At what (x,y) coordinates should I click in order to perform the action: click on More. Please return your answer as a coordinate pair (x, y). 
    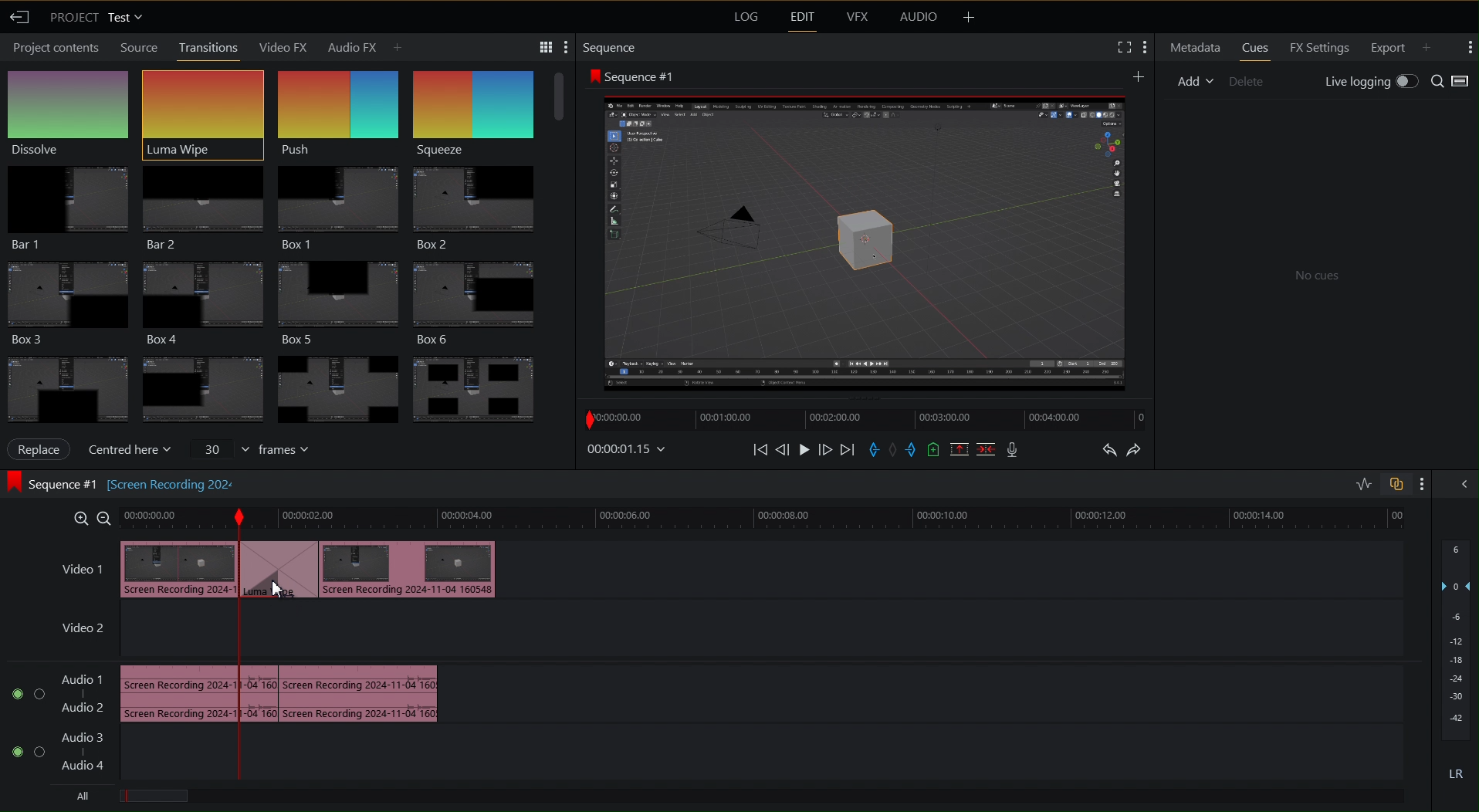
    Looking at the image, I should click on (969, 18).